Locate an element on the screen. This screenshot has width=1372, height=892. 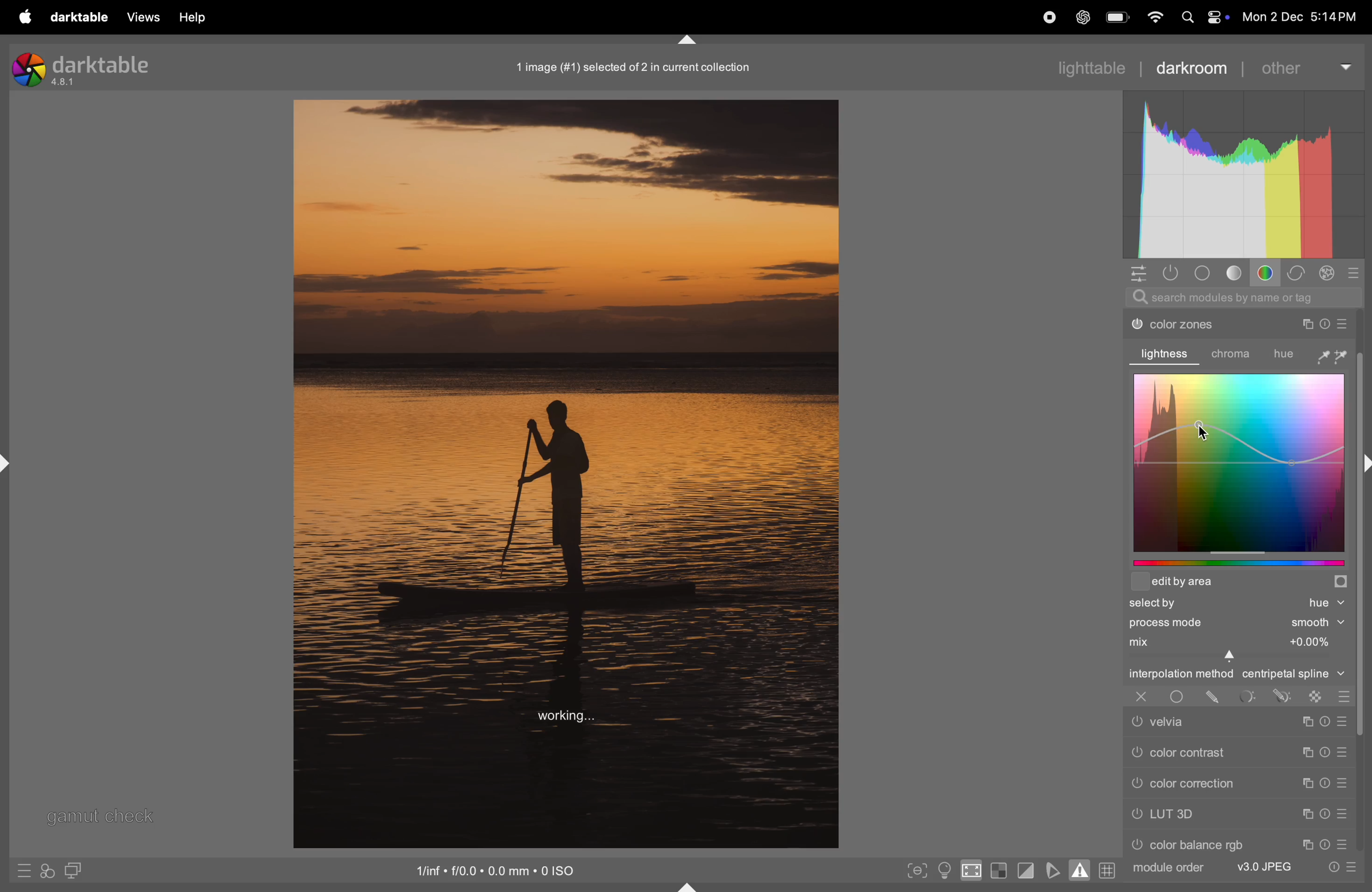
Mon 2 Dec is located at coordinates (1272, 17).